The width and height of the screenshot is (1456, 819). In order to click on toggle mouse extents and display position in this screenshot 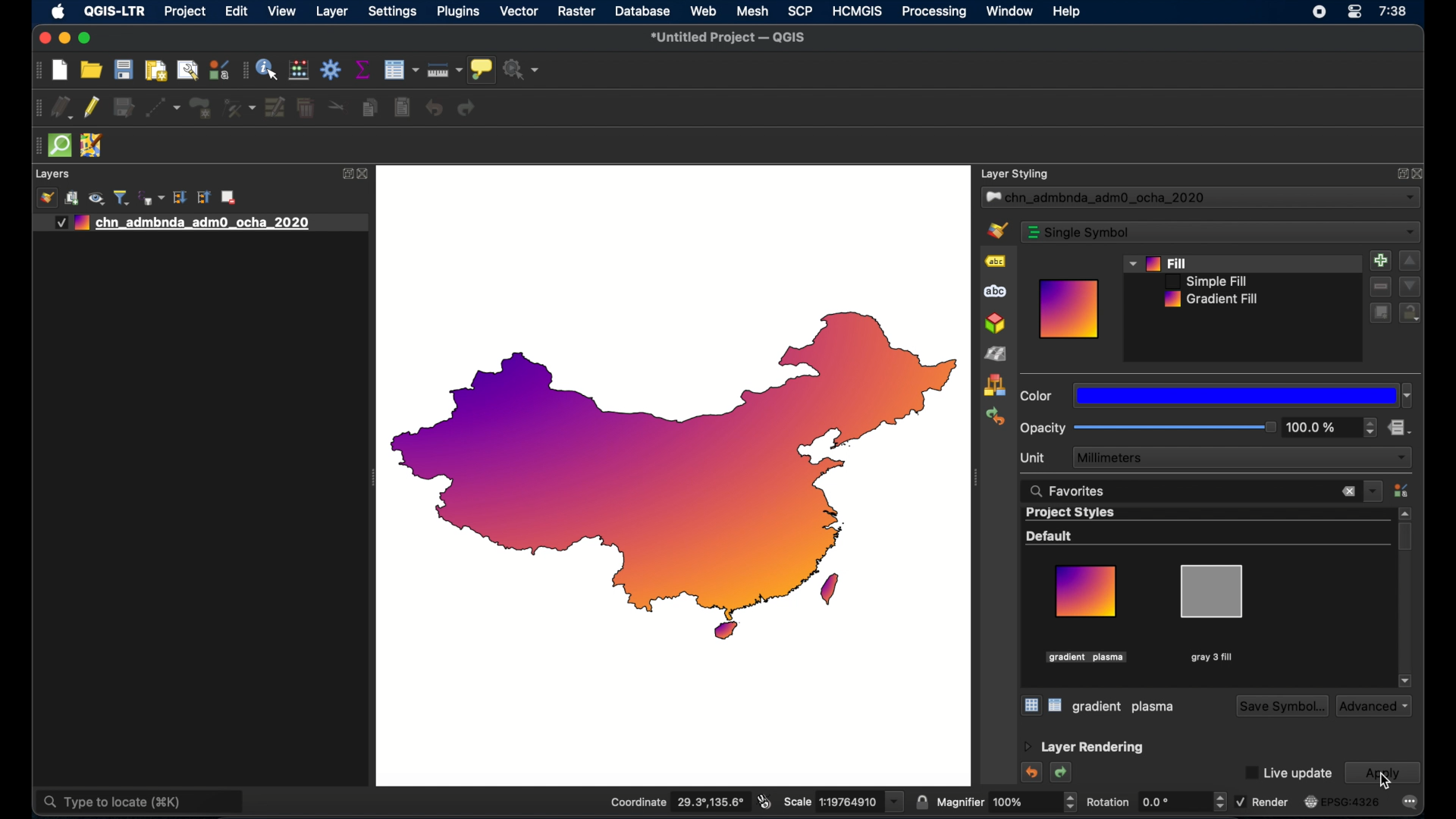, I will do `click(765, 801)`.